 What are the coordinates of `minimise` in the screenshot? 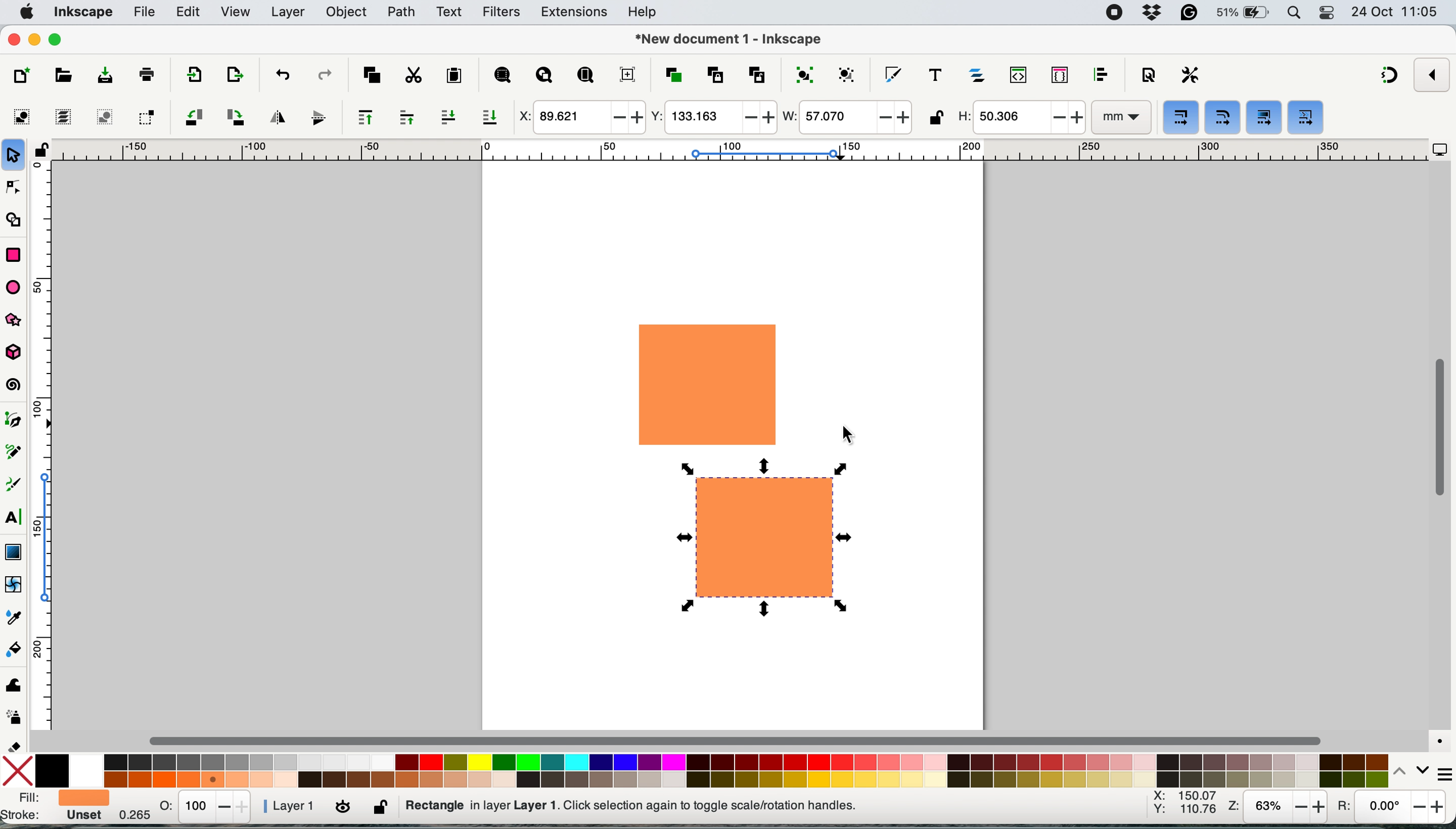 It's located at (34, 38).